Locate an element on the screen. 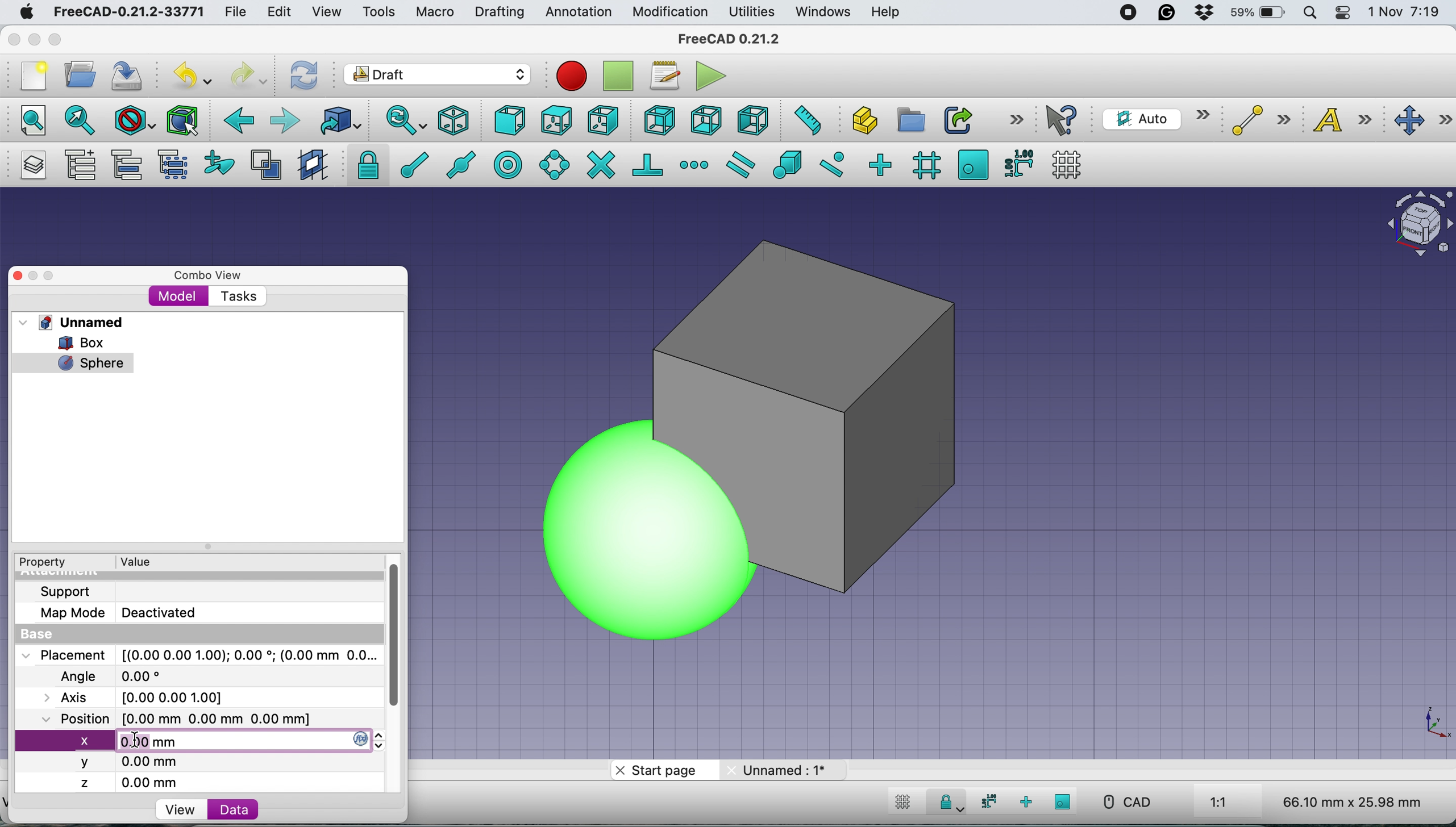  modification is located at coordinates (669, 12).